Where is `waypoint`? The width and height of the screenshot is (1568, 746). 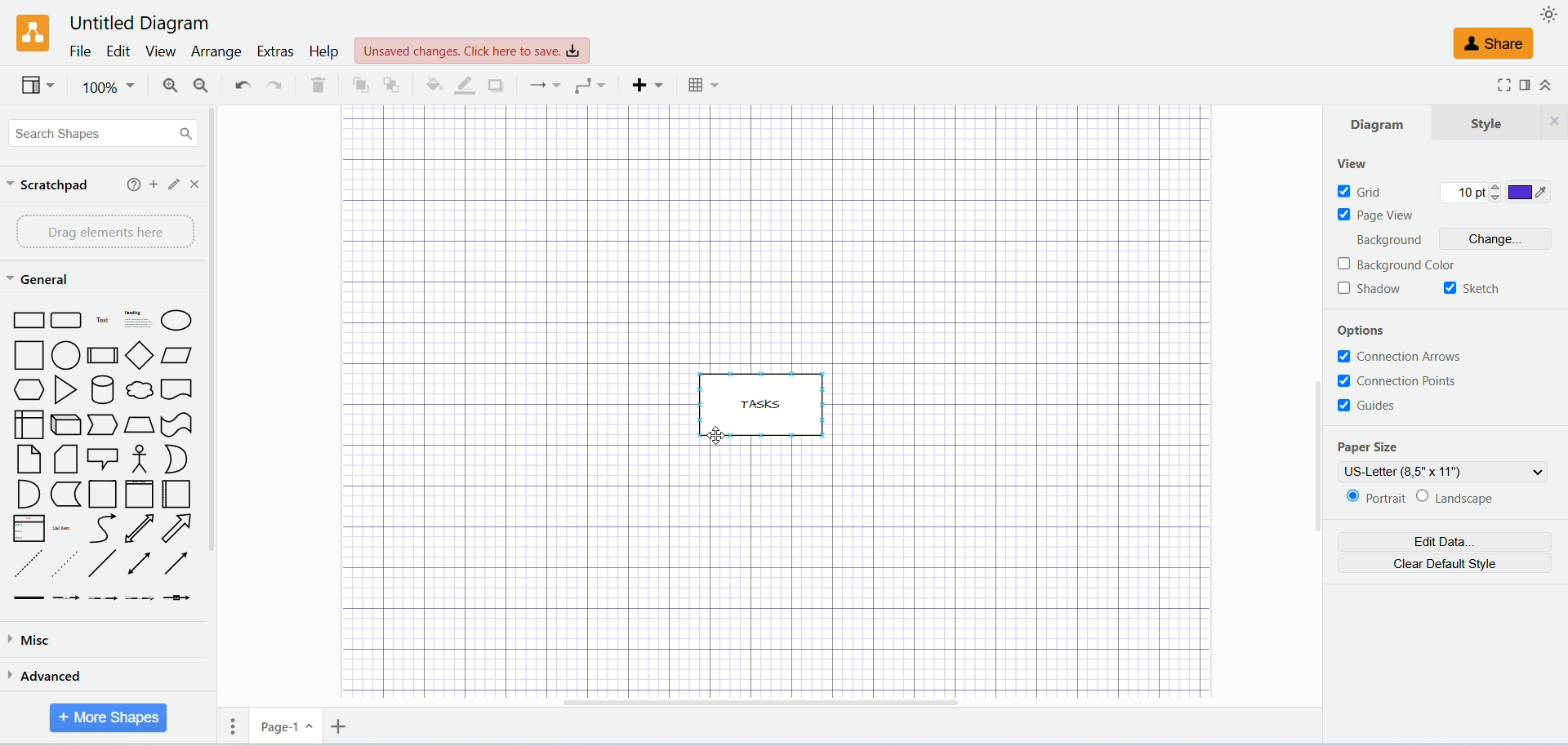 waypoint is located at coordinates (586, 84).